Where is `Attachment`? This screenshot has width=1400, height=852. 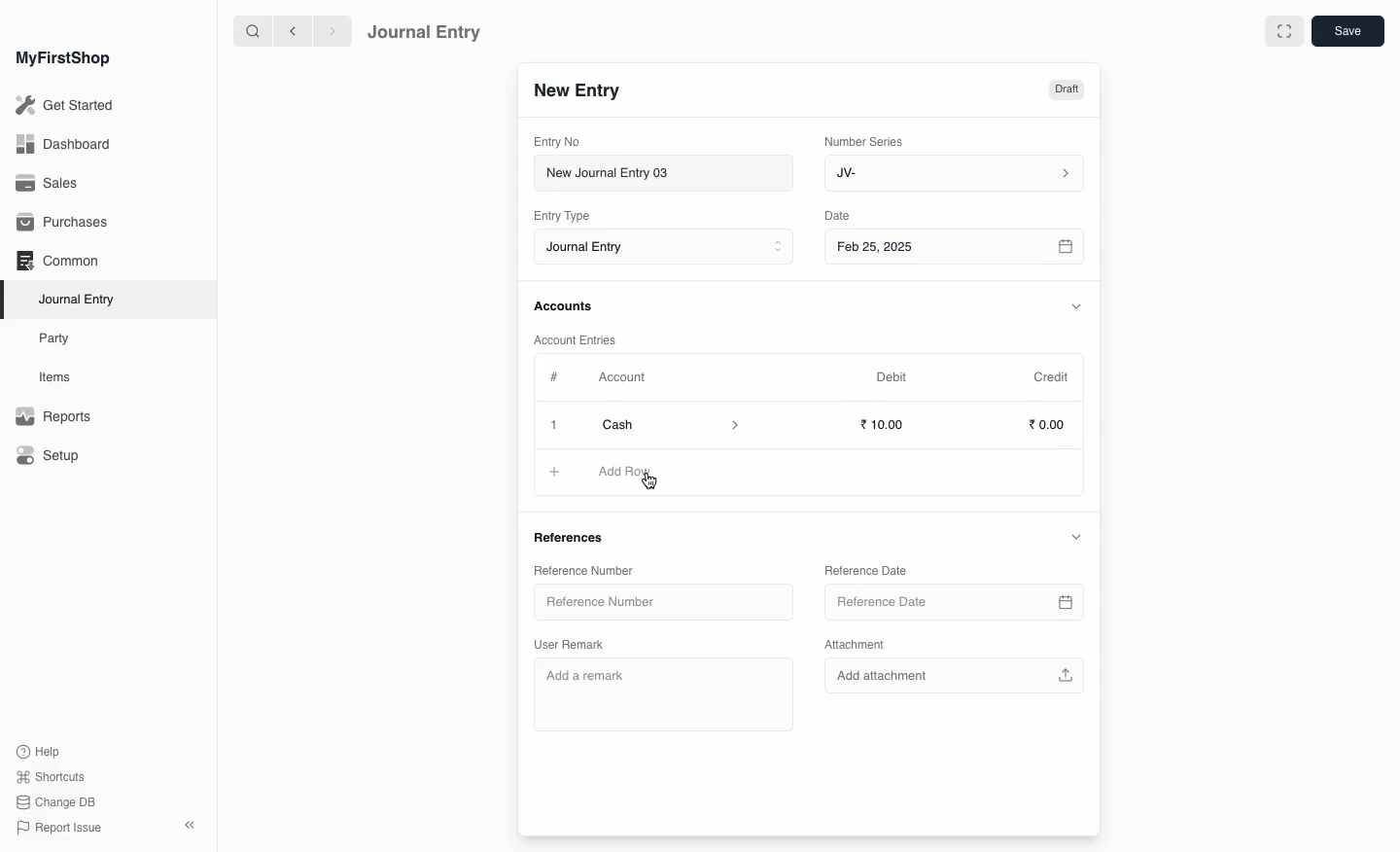 Attachment is located at coordinates (855, 644).